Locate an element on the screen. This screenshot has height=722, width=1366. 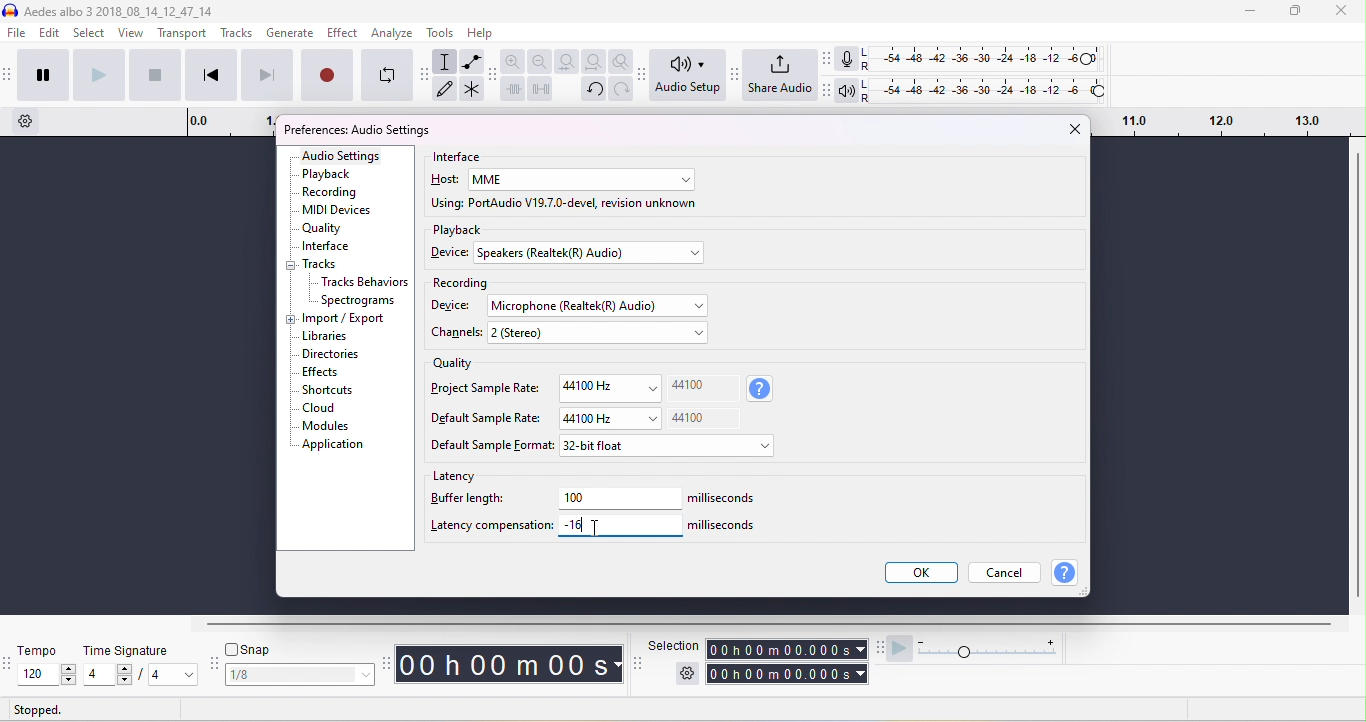
L is located at coordinates (869, 85).